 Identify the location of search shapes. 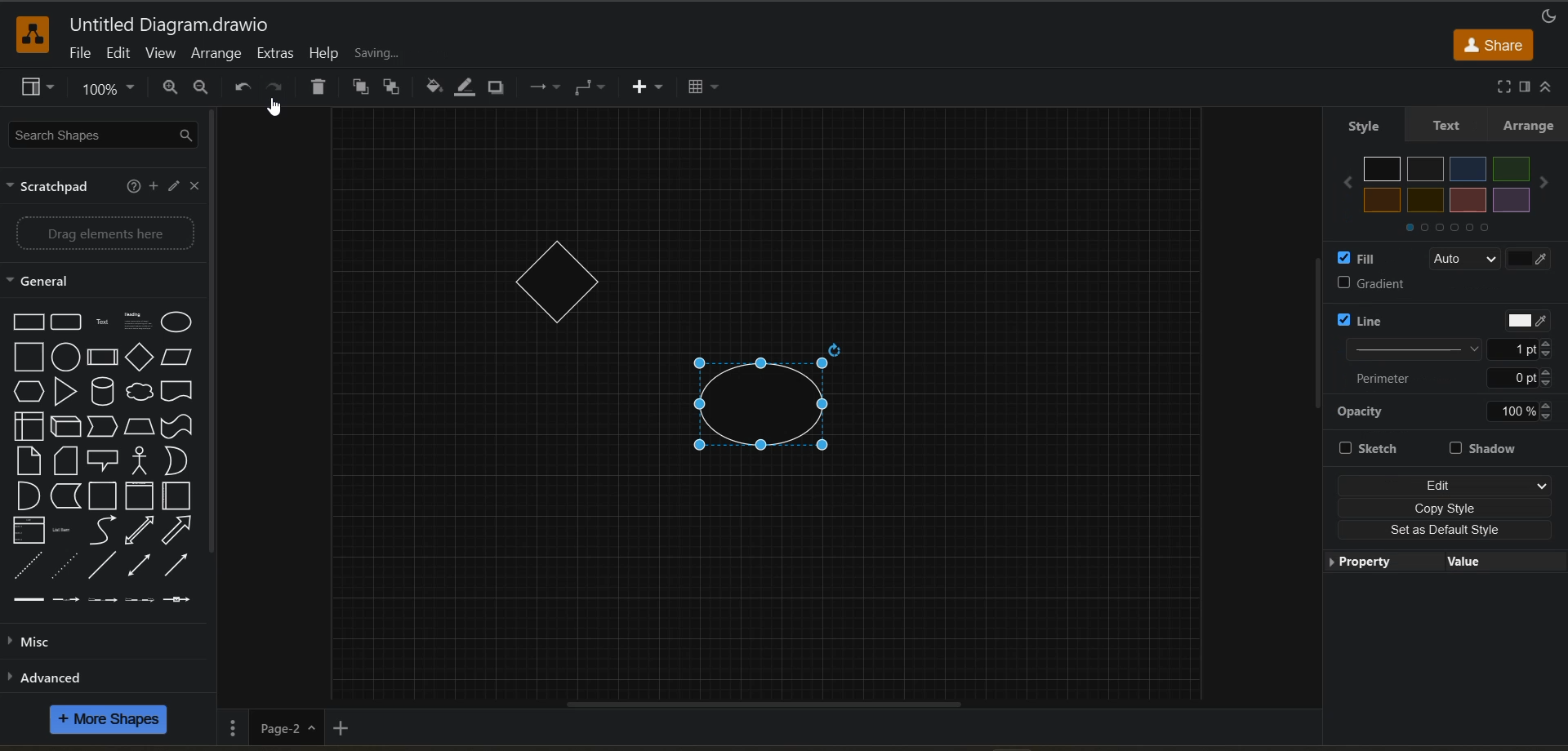
(104, 135).